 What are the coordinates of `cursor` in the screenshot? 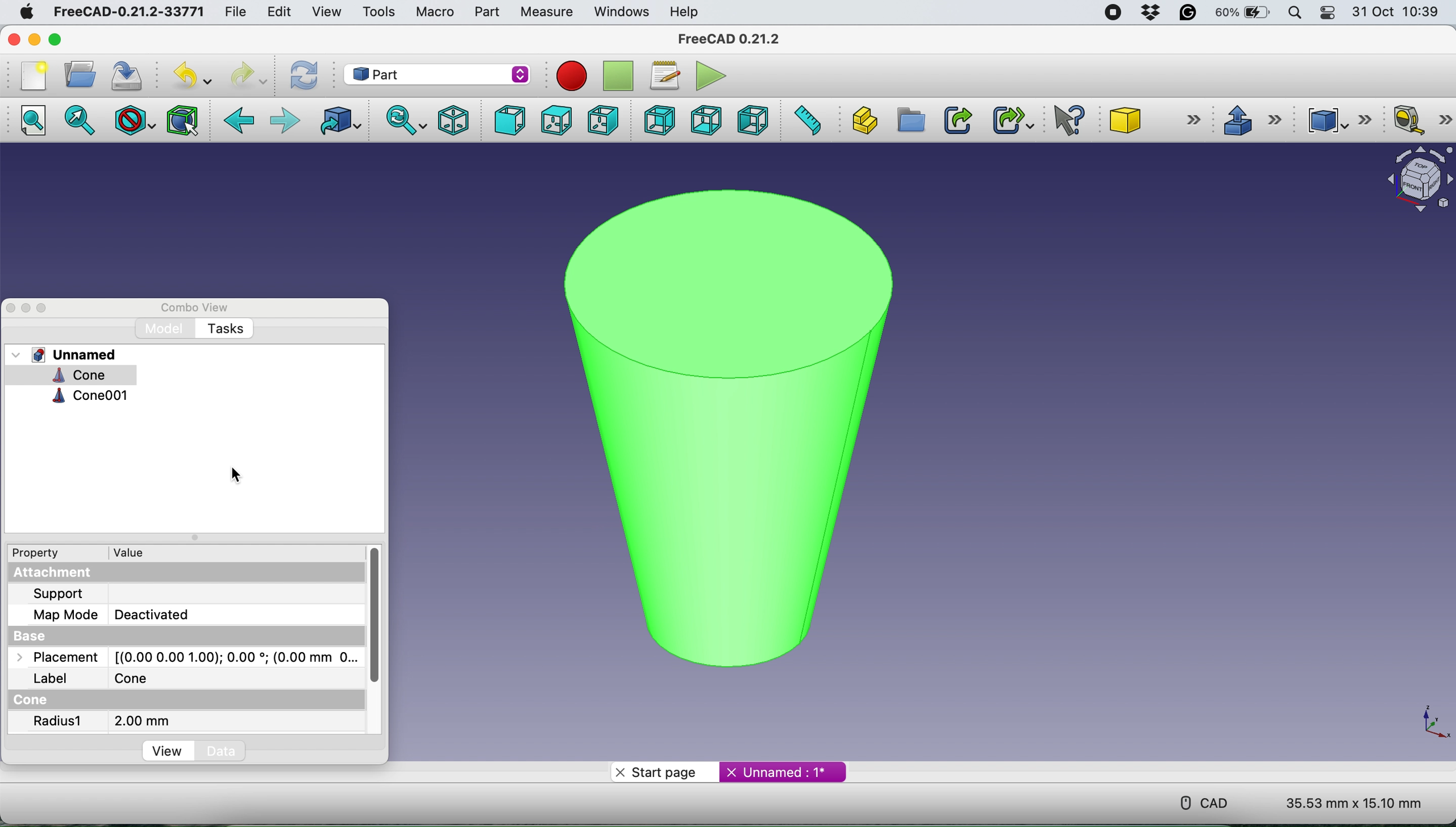 It's located at (235, 476).